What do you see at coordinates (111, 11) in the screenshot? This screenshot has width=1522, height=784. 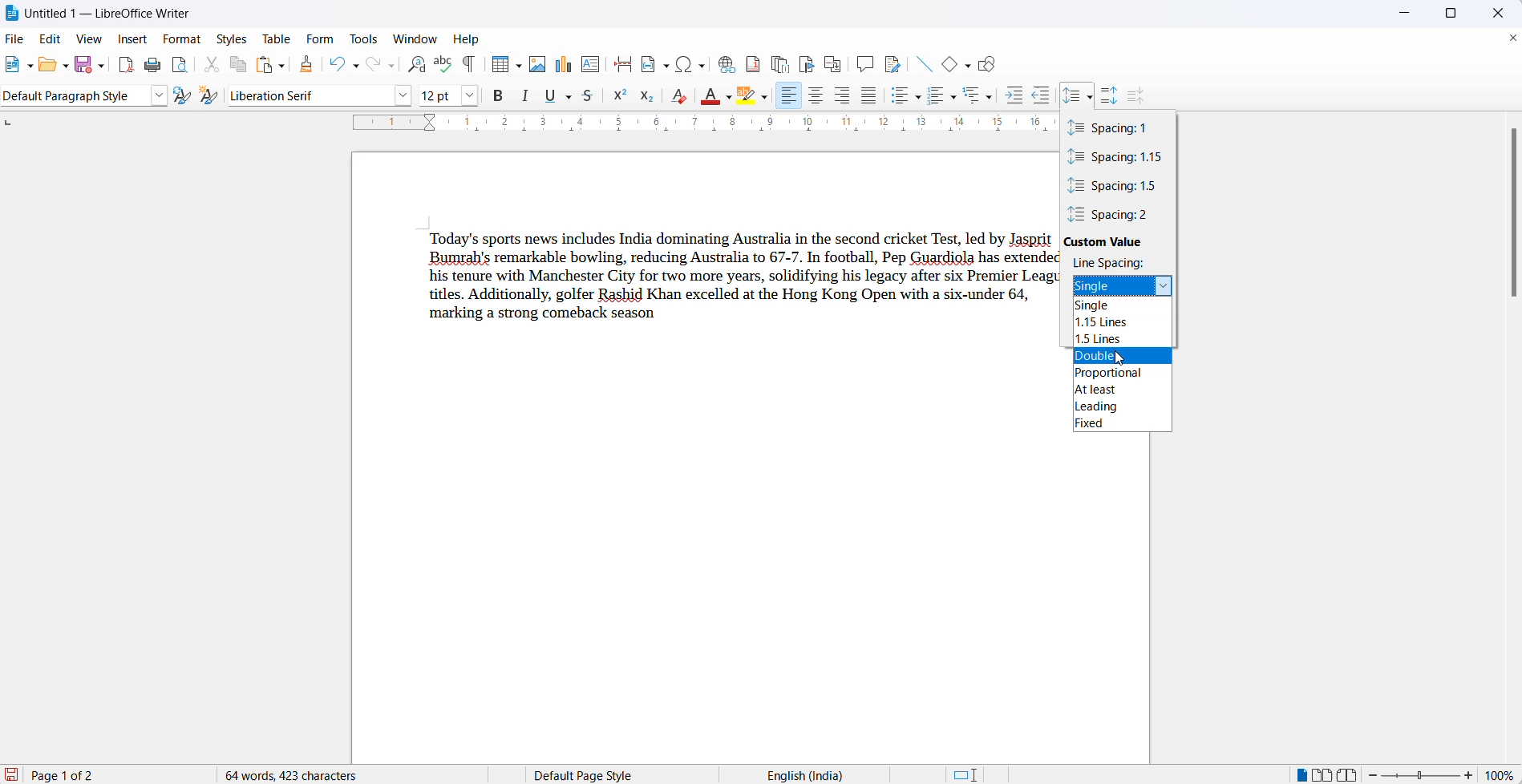 I see `file title` at bounding box center [111, 11].